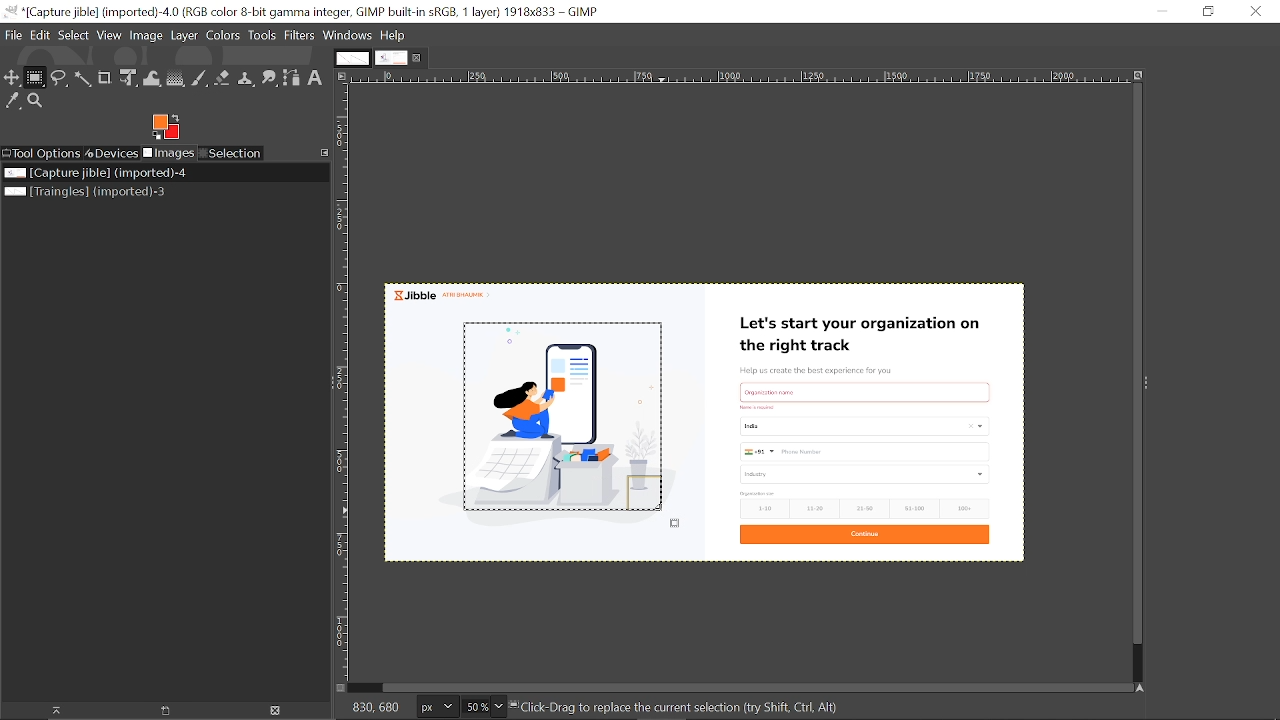  I want to click on Vertical scrollbar , so click(1131, 363).